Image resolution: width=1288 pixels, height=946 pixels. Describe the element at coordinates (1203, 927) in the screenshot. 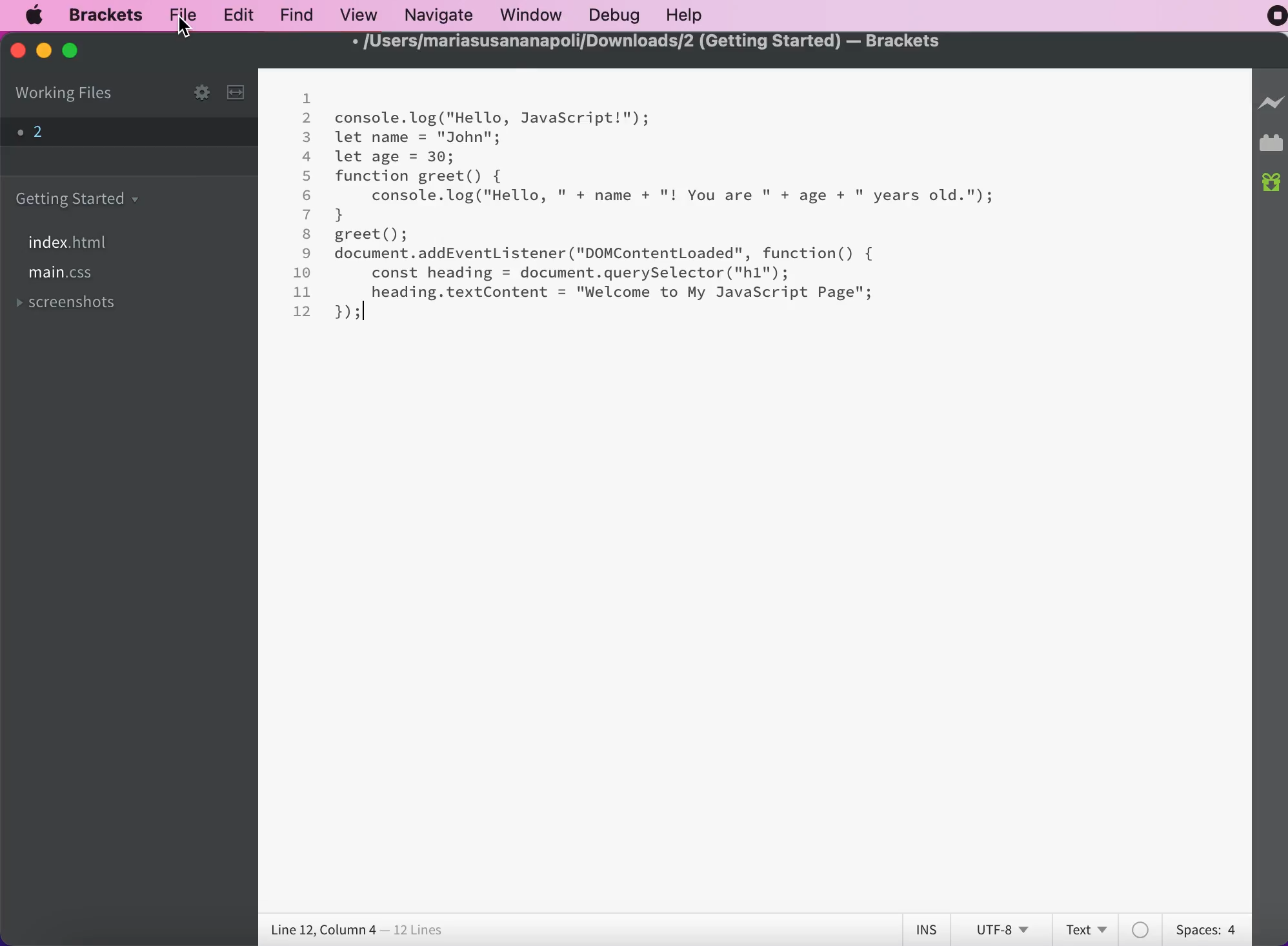

I see `spaces: 4` at that location.